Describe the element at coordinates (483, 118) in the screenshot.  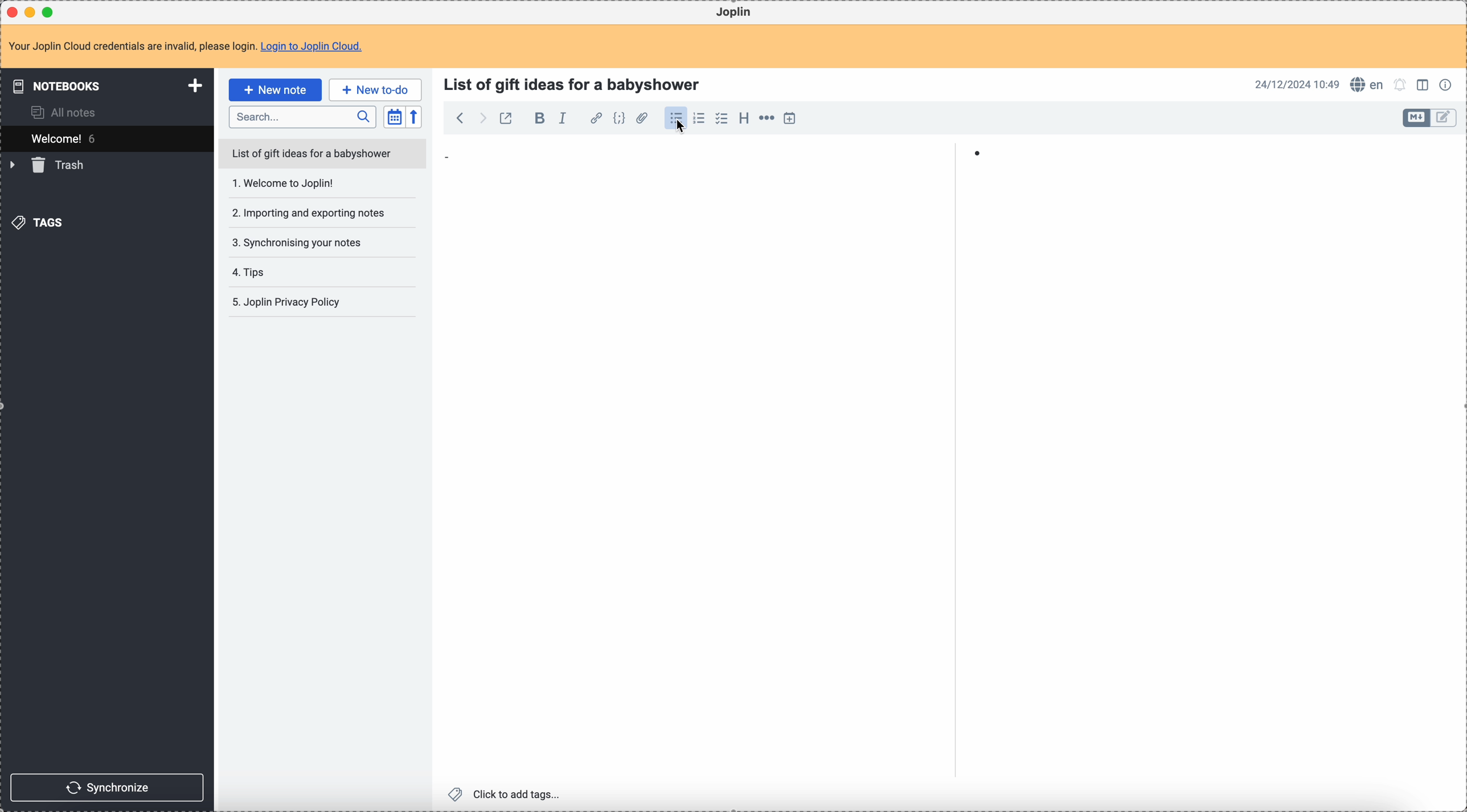
I see `foward` at that location.